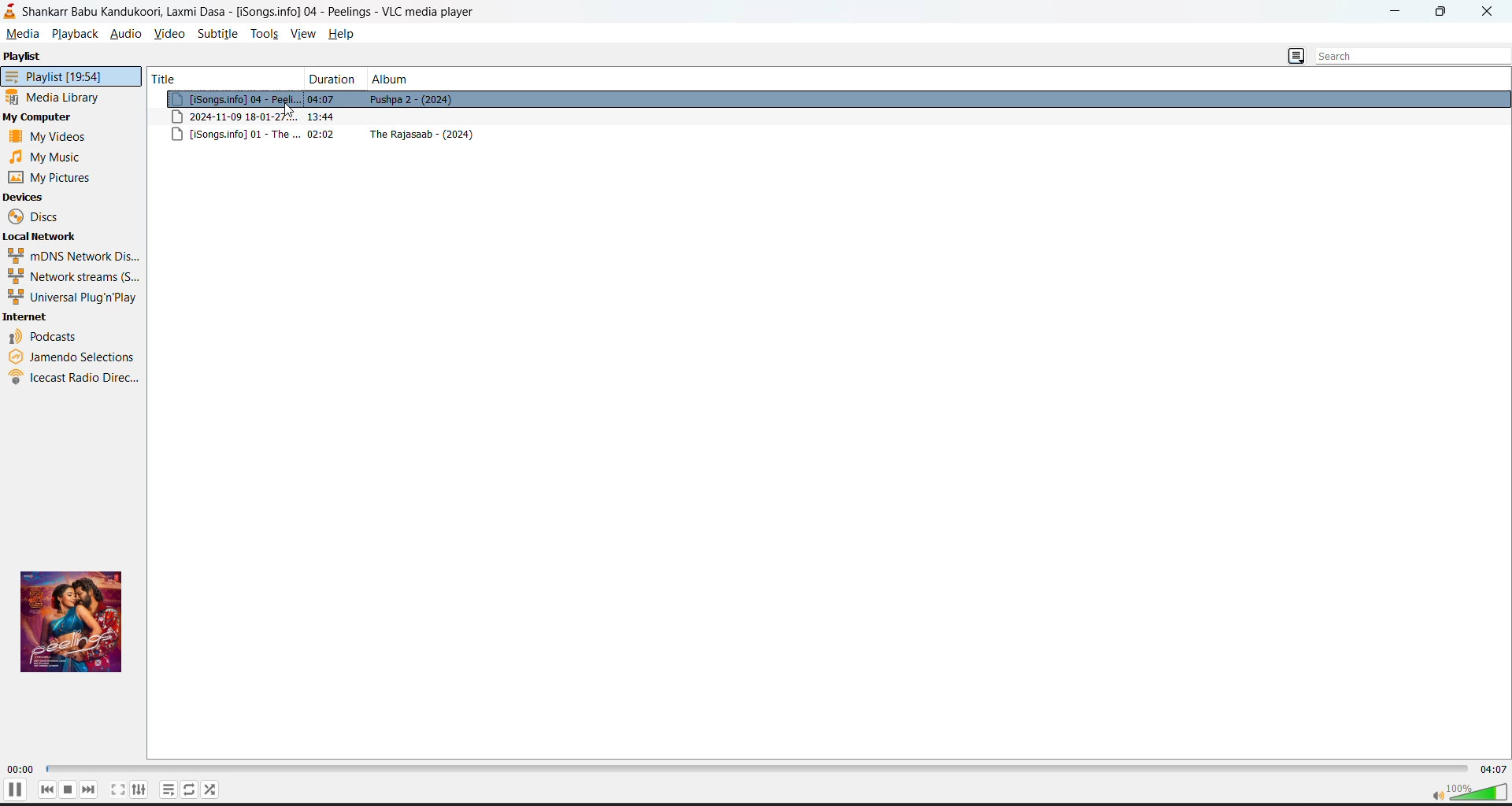 The height and width of the screenshot is (806, 1512). What do you see at coordinates (259, 13) in the screenshot?
I see `Shankarr Babu Kandukoori, Lxmi Dasa - [iSongs.info] 04 - peelings - VLC media player` at bounding box center [259, 13].